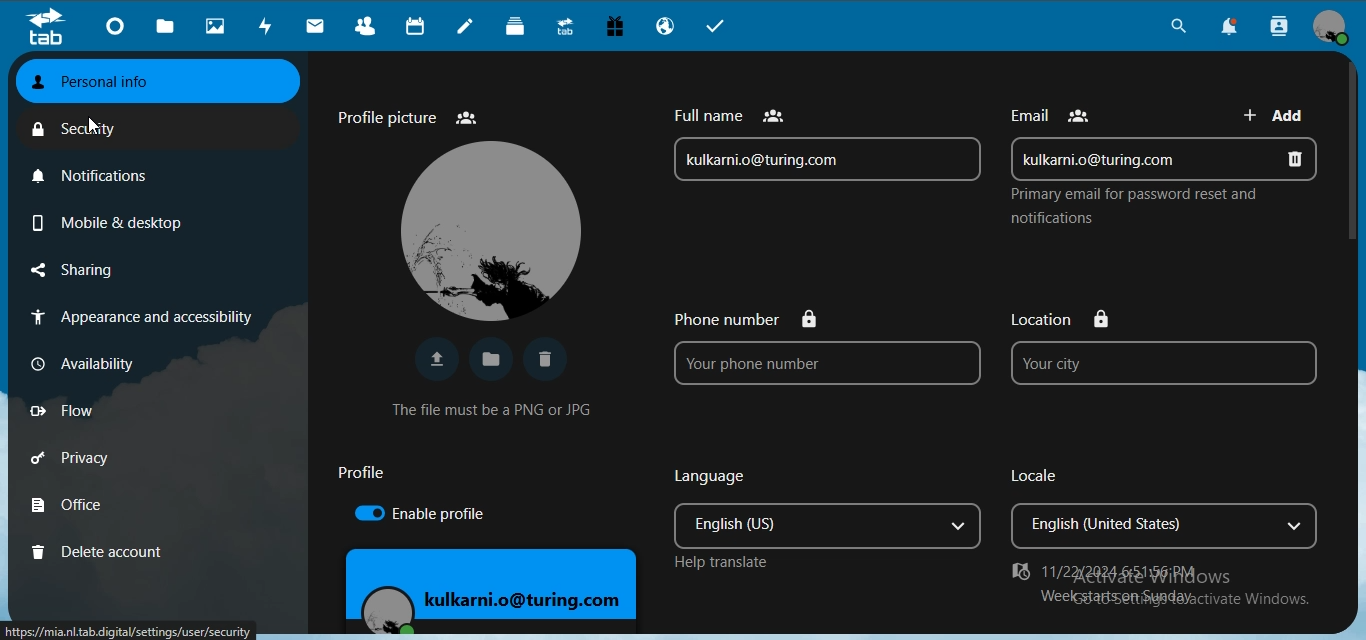  I want to click on notifications, so click(1236, 28).